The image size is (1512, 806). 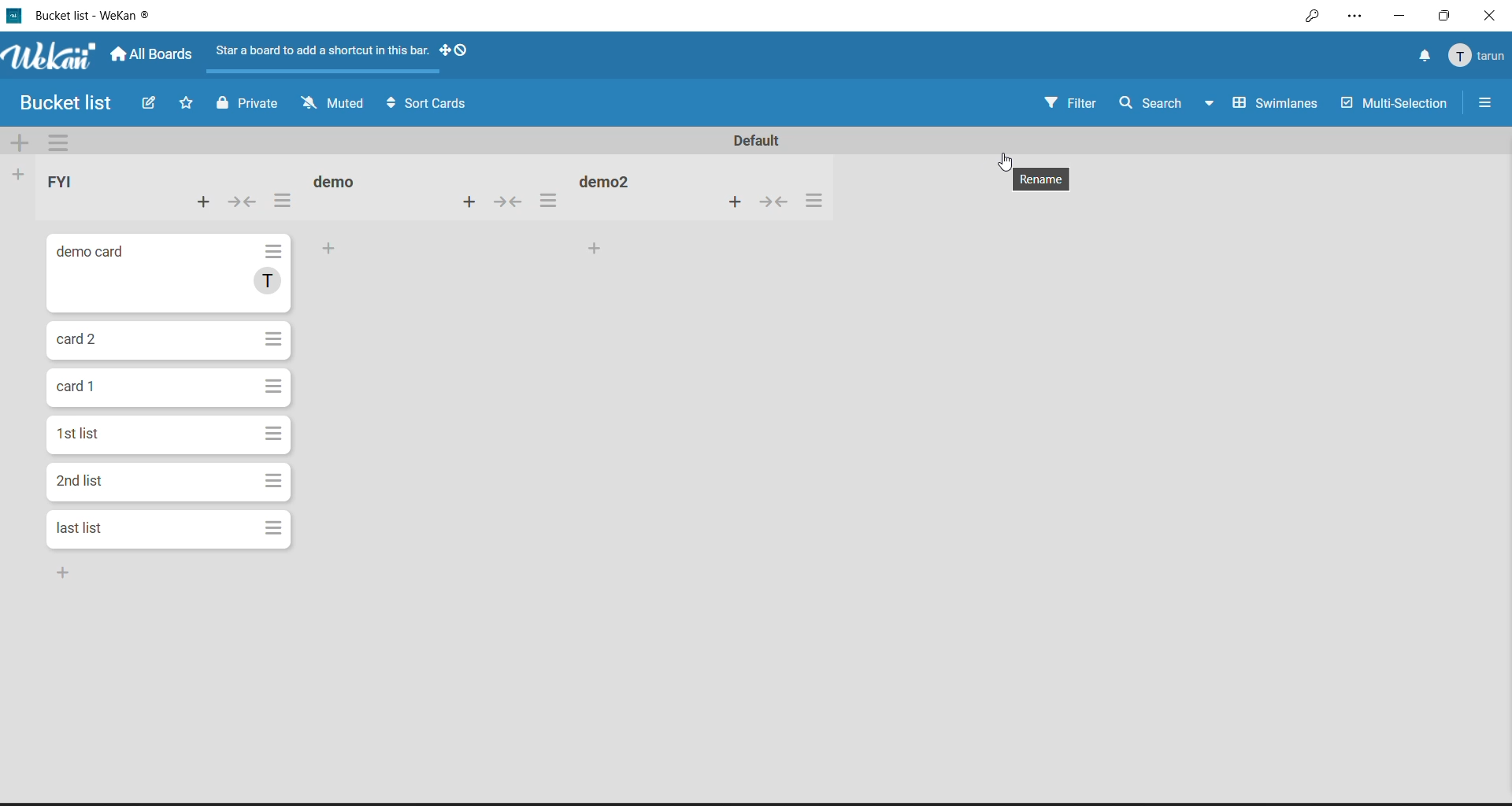 What do you see at coordinates (1354, 17) in the screenshot?
I see `settings and more` at bounding box center [1354, 17].